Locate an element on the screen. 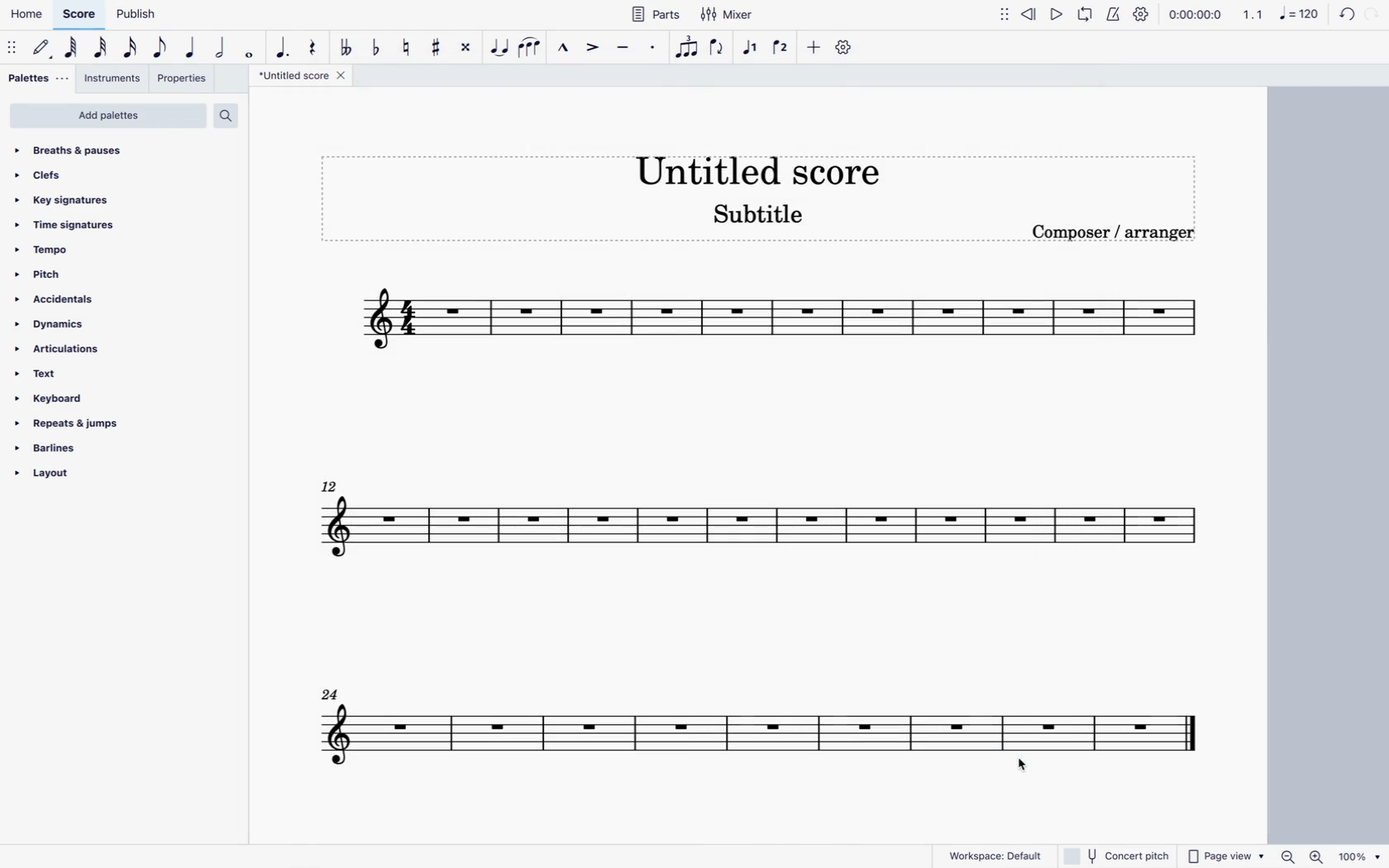 This screenshot has height=868, width=1389. breaths & pauses is located at coordinates (79, 150).